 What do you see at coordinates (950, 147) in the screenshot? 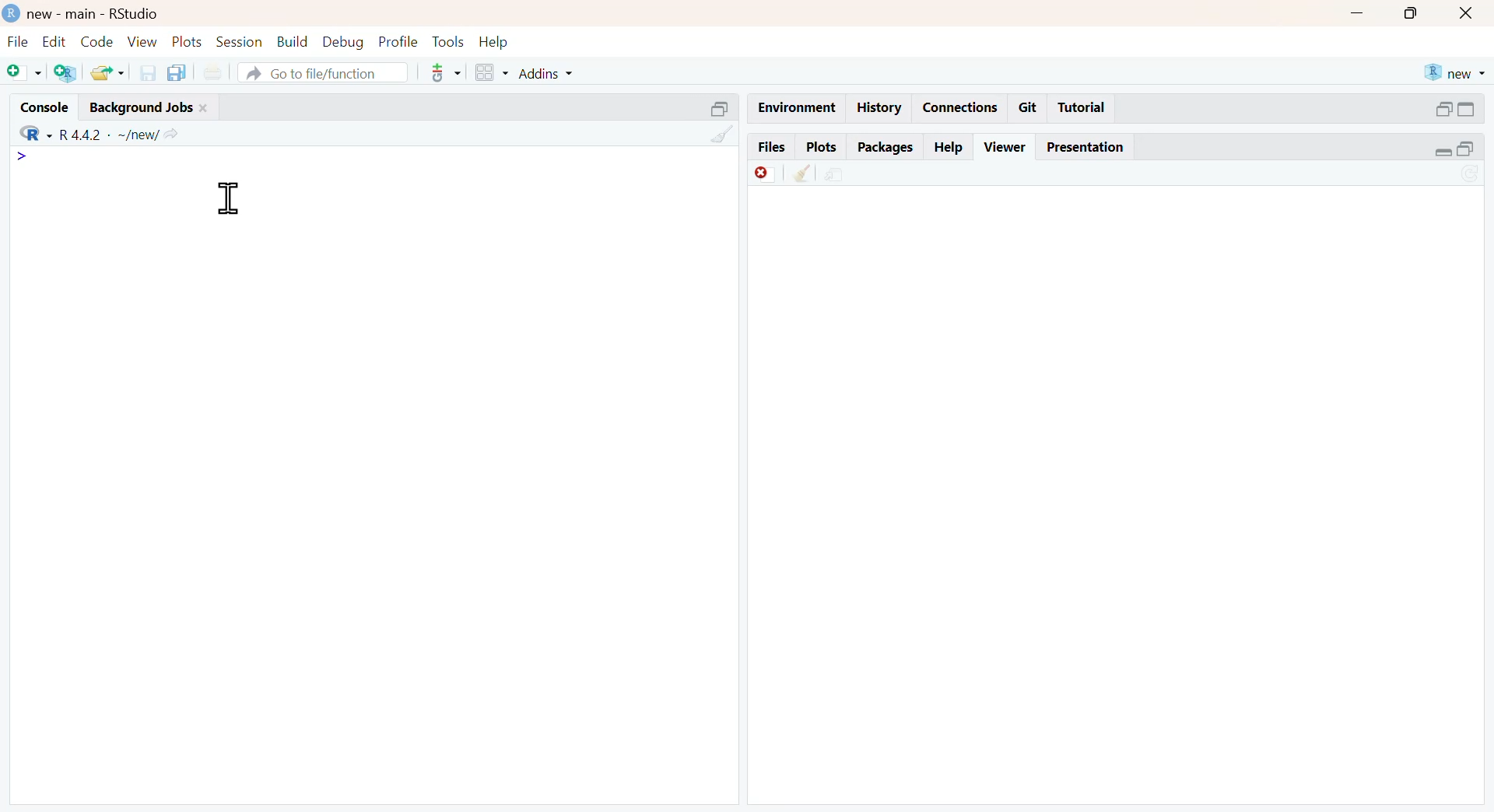
I see `help` at bounding box center [950, 147].